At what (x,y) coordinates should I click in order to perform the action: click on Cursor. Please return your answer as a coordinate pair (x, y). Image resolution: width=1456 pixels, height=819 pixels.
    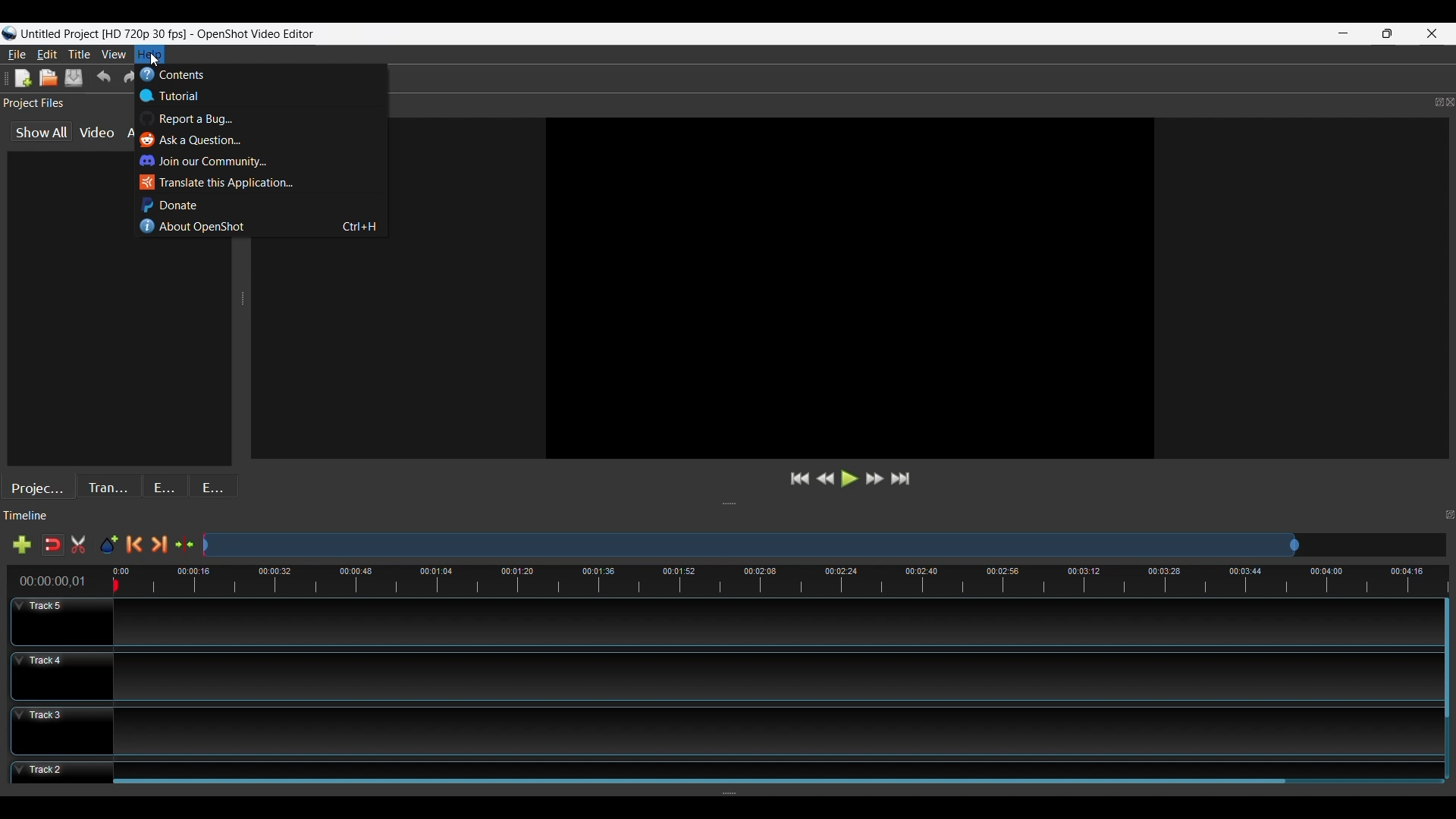
    Looking at the image, I should click on (156, 62).